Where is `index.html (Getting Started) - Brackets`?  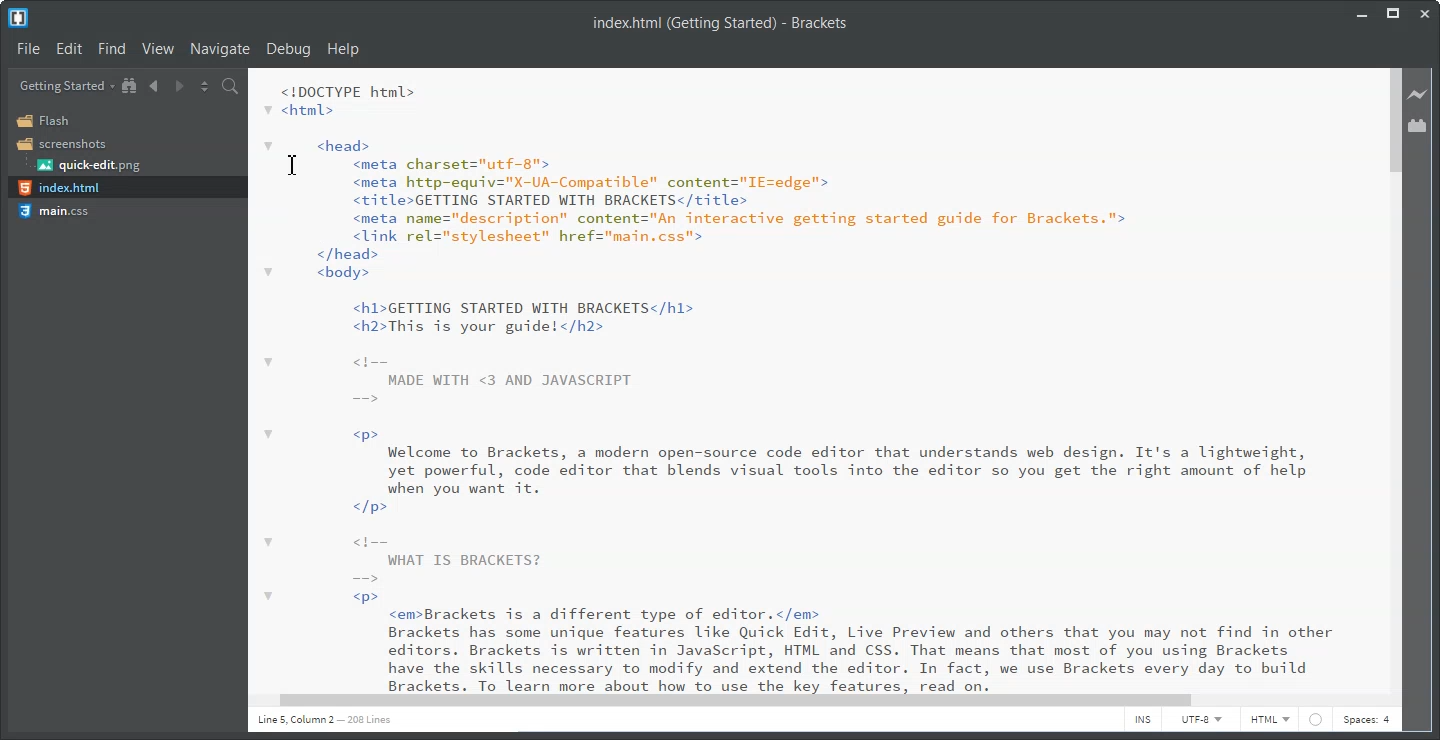 index.html (Getting Started) - Brackets is located at coordinates (710, 24).